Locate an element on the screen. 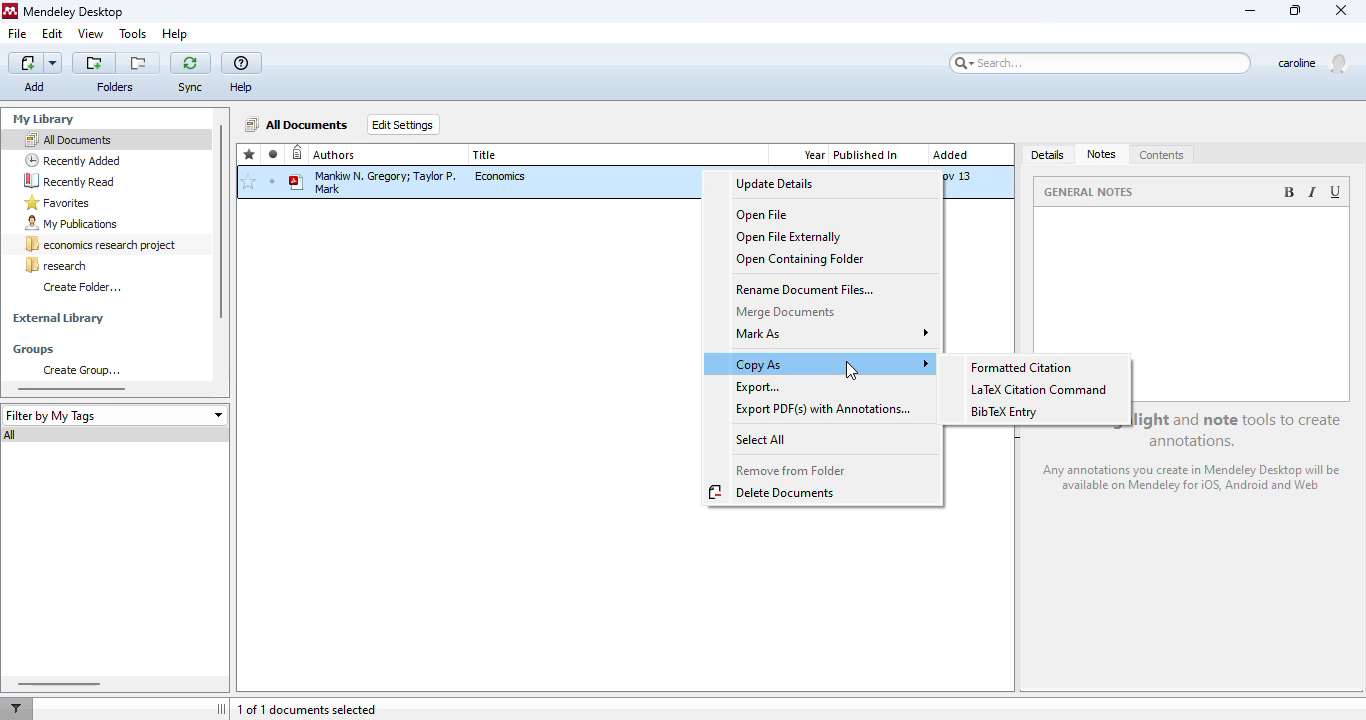 The width and height of the screenshot is (1366, 720). authors is located at coordinates (335, 155).